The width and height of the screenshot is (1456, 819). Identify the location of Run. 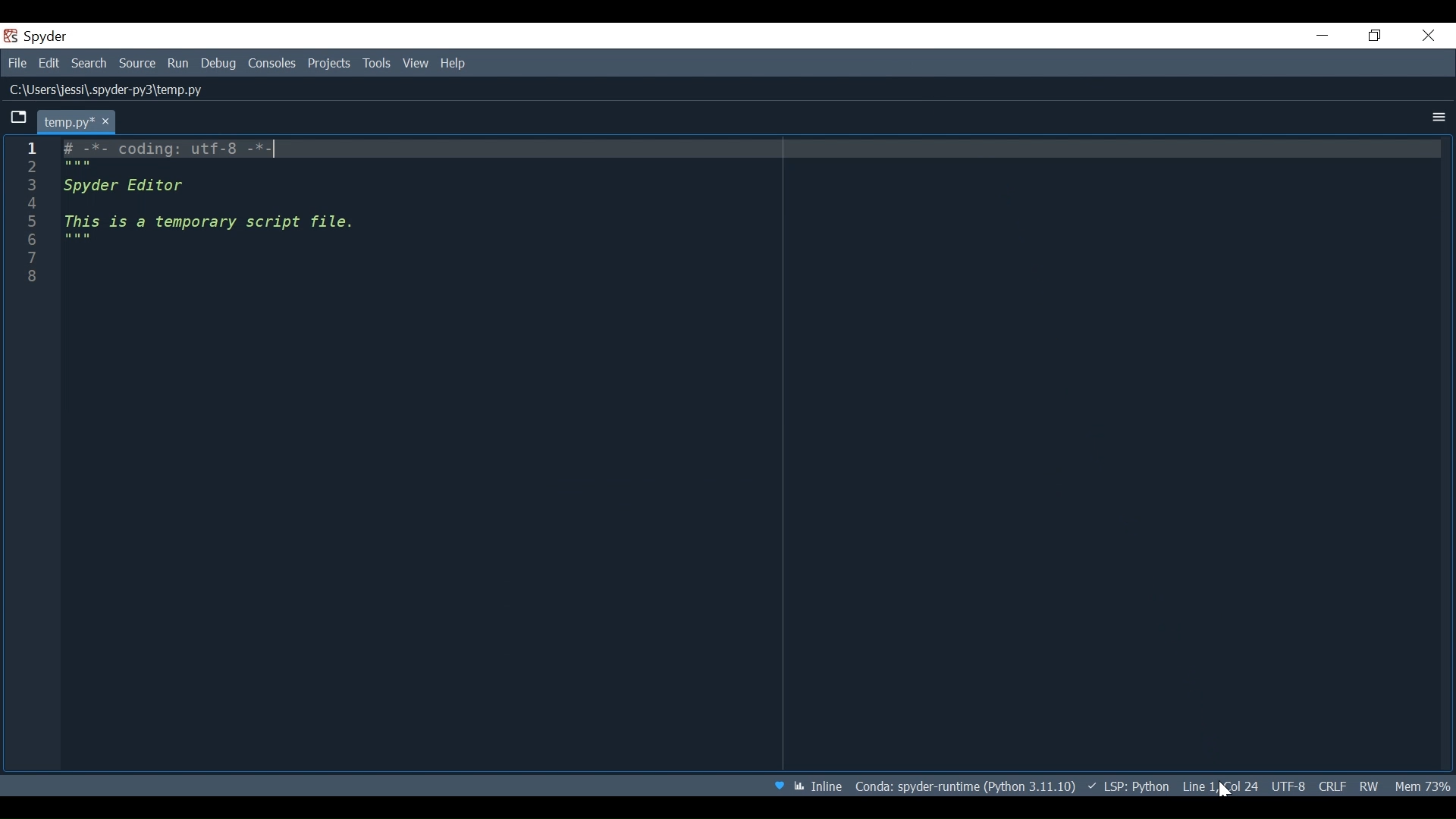
(179, 63).